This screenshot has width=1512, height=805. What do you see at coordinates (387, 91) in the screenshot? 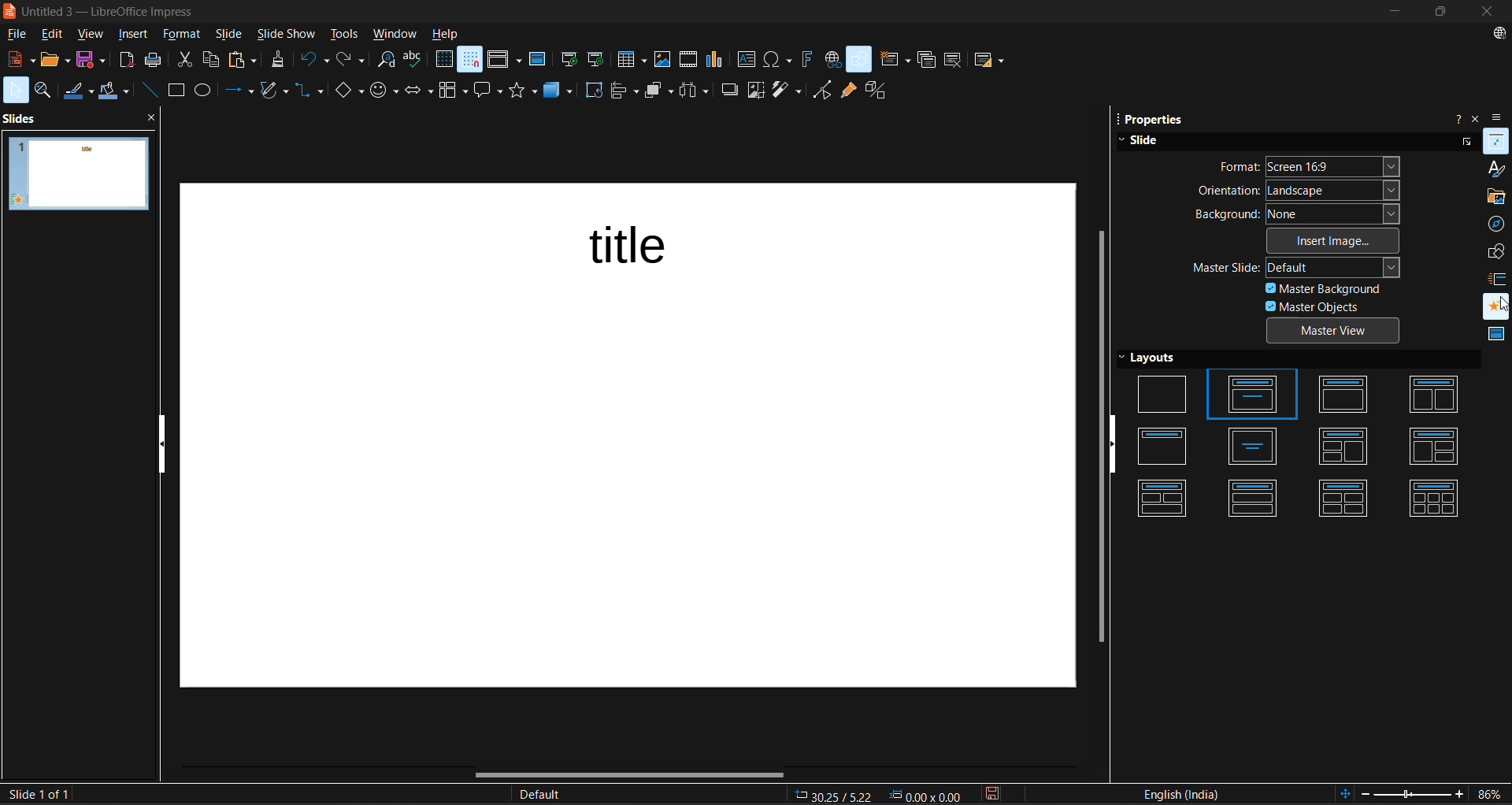
I see `symbol shapes` at bounding box center [387, 91].